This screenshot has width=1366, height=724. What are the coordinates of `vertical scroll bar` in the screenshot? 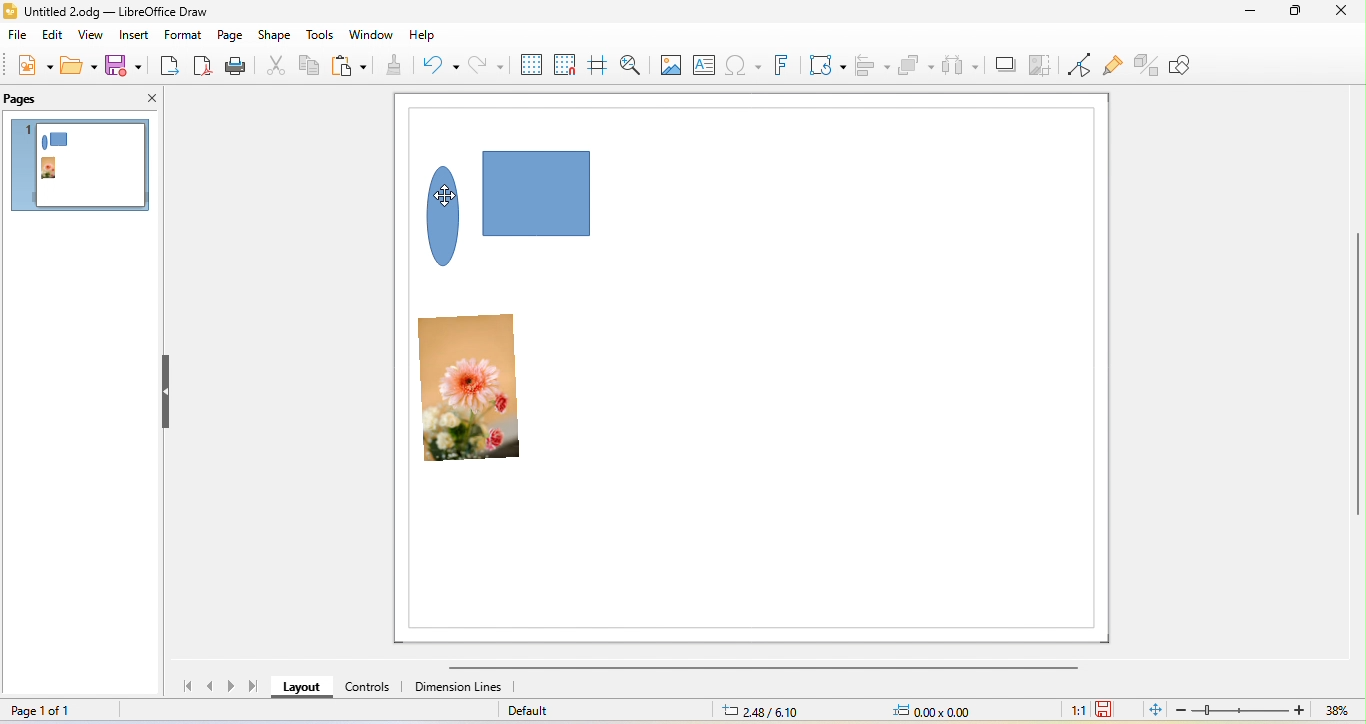 It's located at (1357, 374).